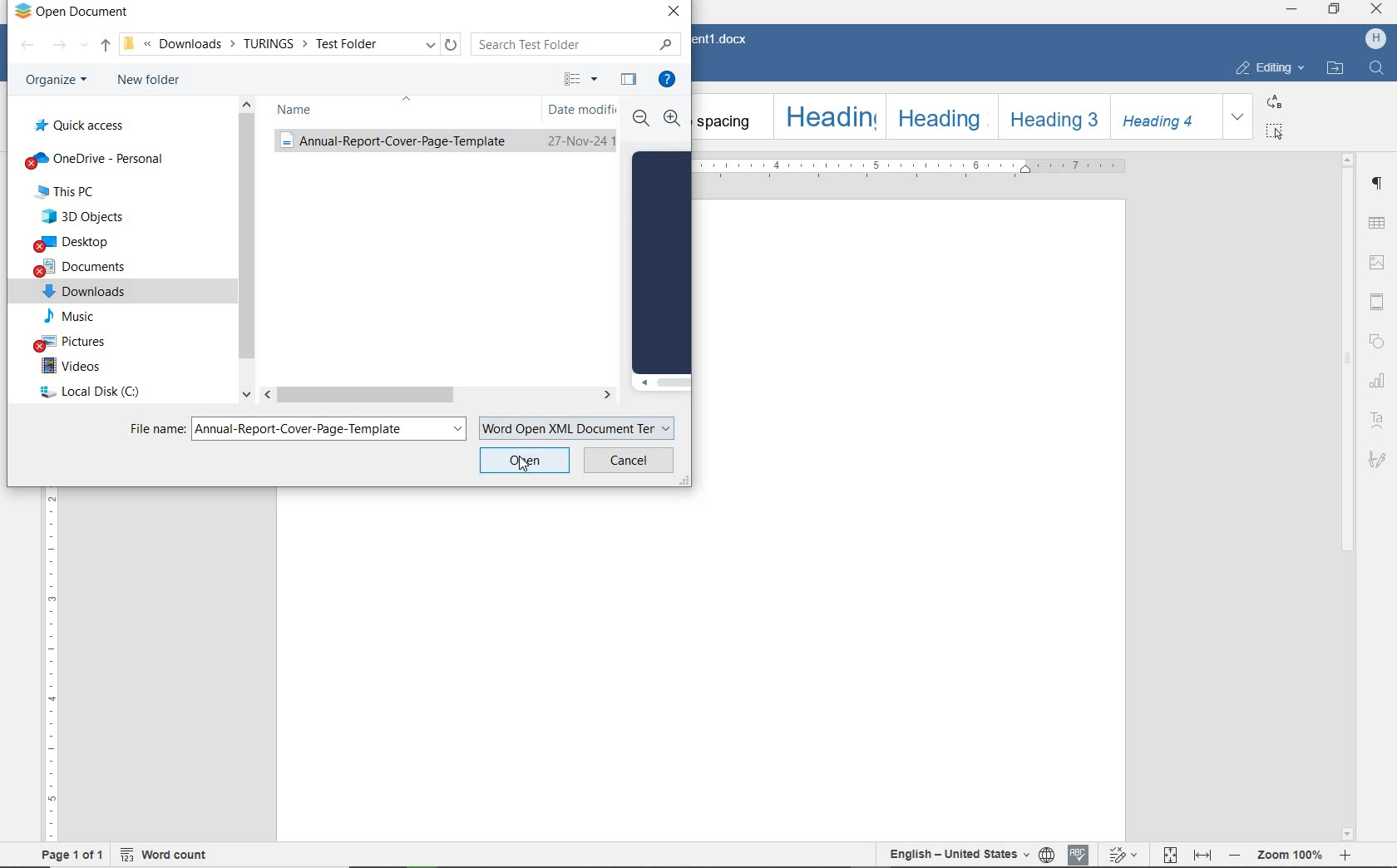 The image size is (1397, 868). I want to click on NAME, so click(297, 110).